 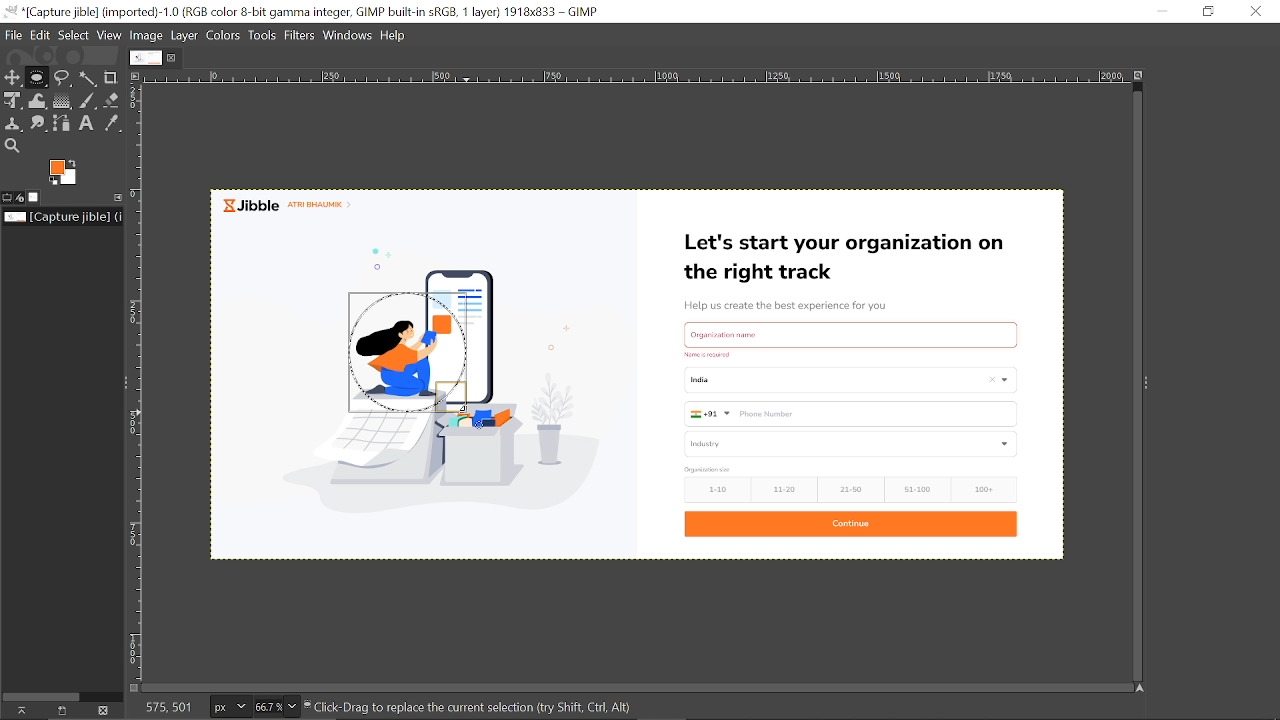 What do you see at coordinates (787, 372) in the screenshot?
I see ` image` at bounding box center [787, 372].